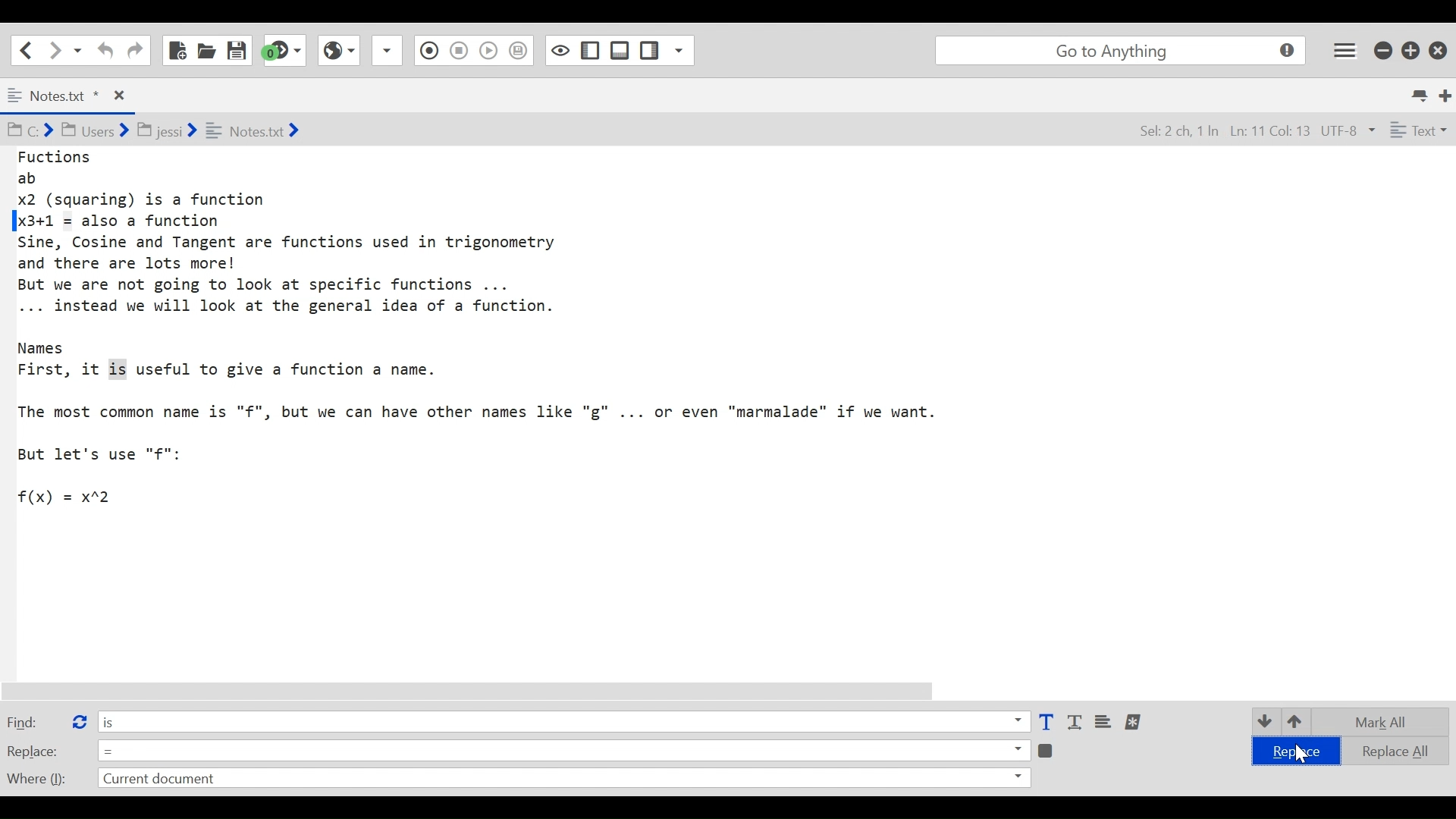 The height and width of the screenshot is (819, 1456). What do you see at coordinates (135, 51) in the screenshot?
I see `` at bounding box center [135, 51].